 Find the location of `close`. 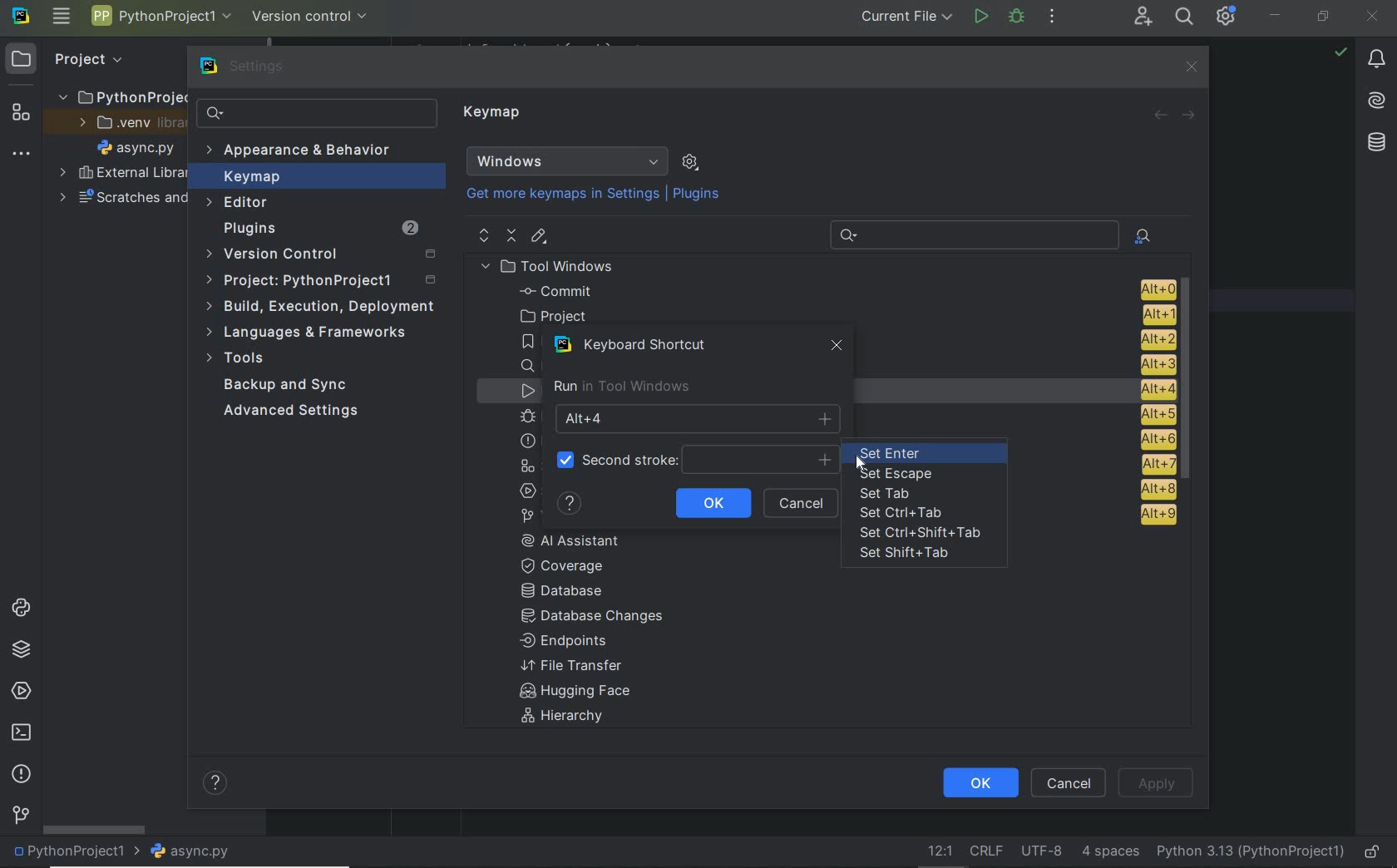

close is located at coordinates (838, 349).